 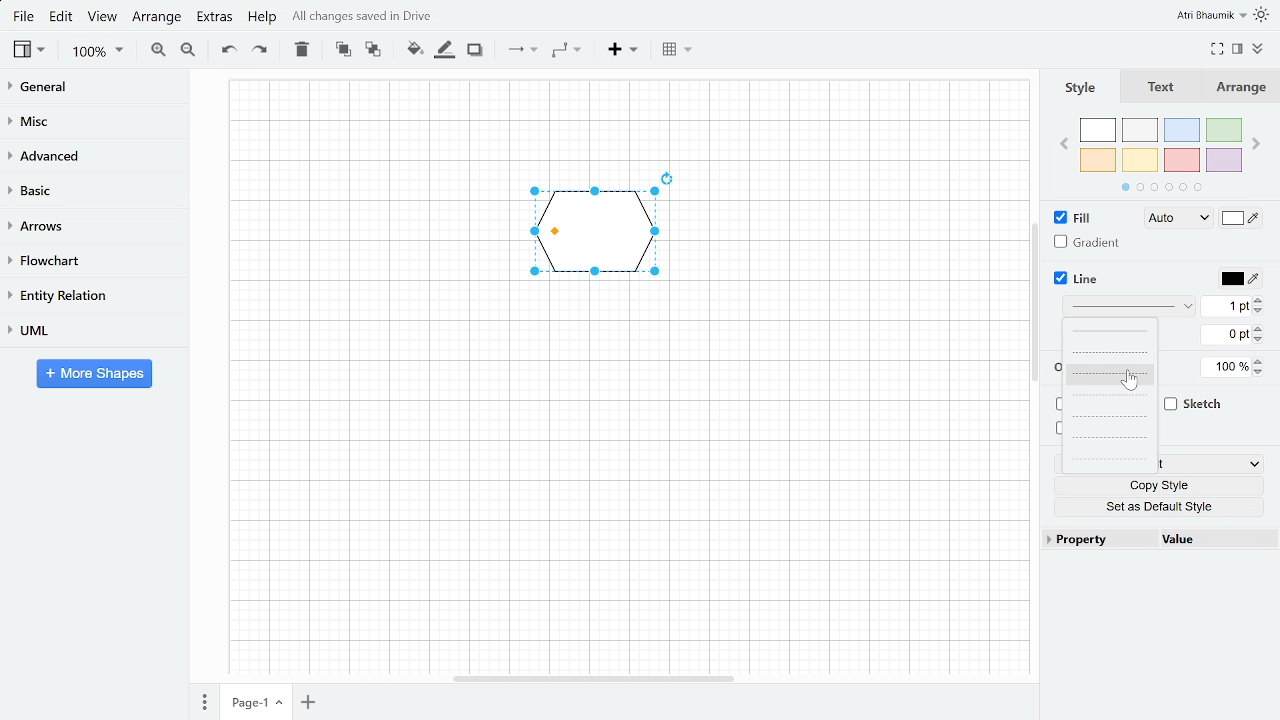 What do you see at coordinates (1241, 218) in the screenshot?
I see `Fill color` at bounding box center [1241, 218].